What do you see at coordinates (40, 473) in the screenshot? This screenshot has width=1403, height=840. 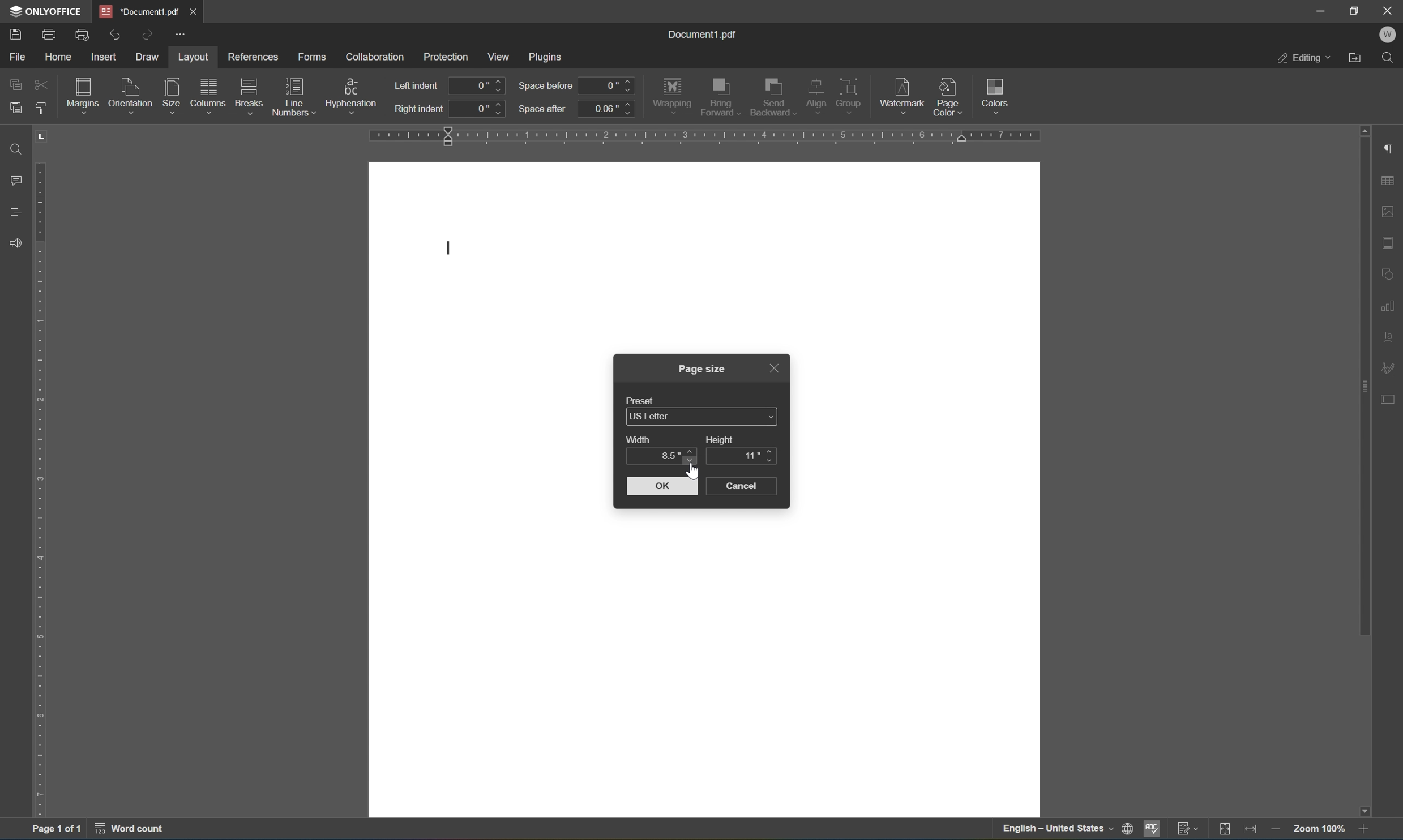 I see `ruler` at bounding box center [40, 473].